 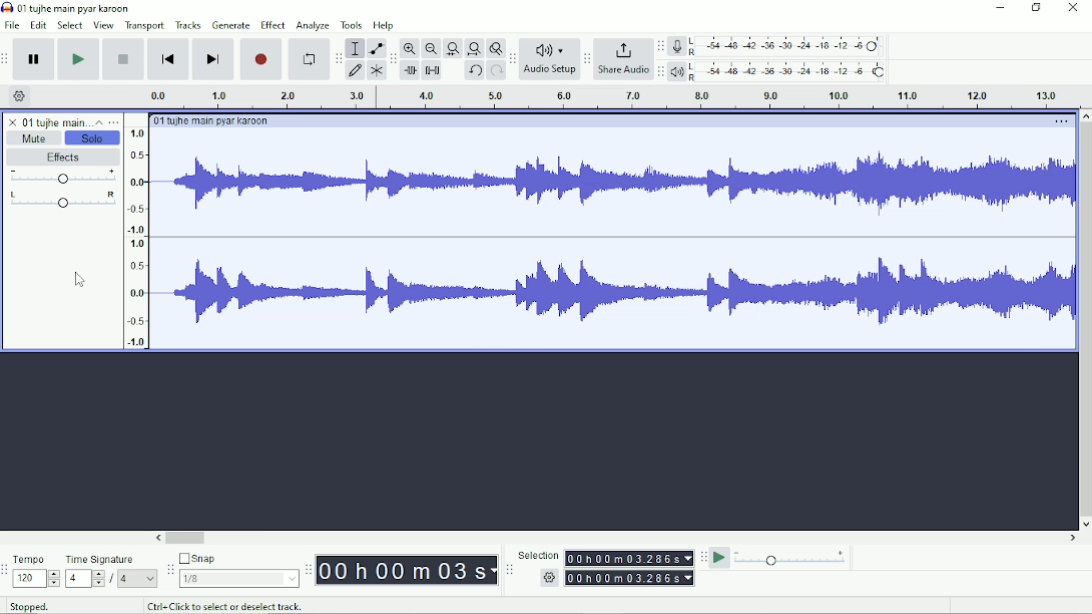 What do you see at coordinates (1074, 8) in the screenshot?
I see `Close` at bounding box center [1074, 8].